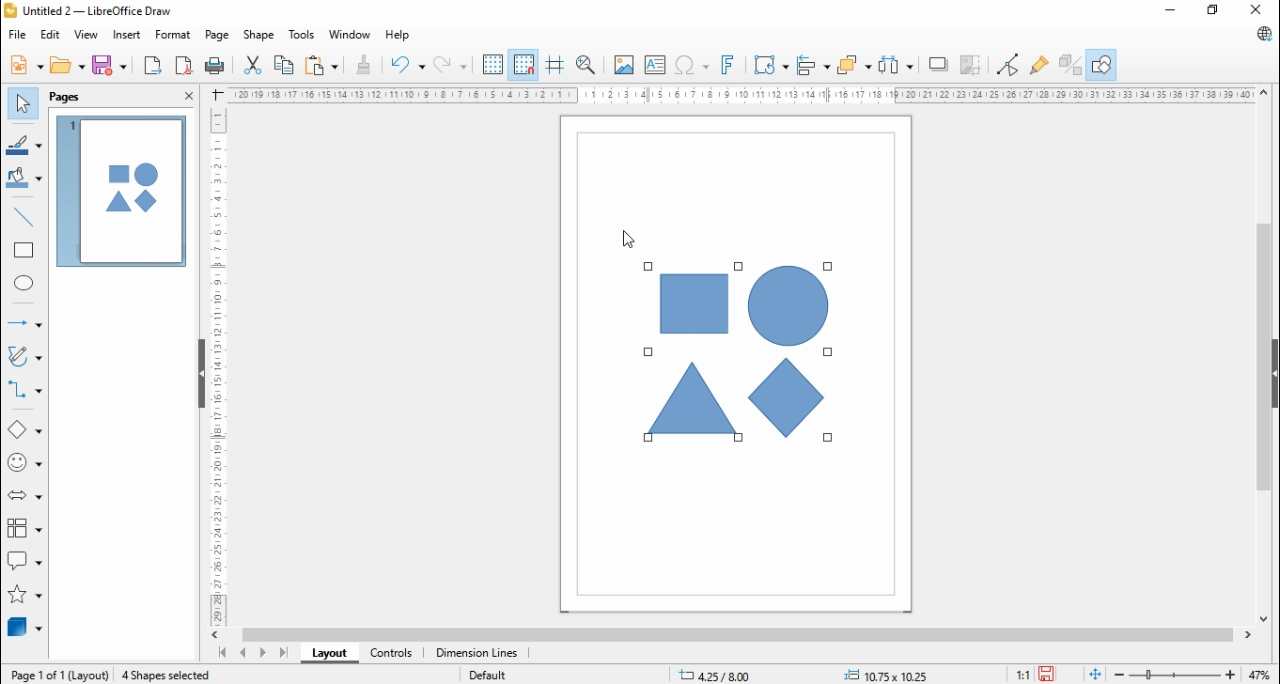  I want to click on default, so click(488, 676).